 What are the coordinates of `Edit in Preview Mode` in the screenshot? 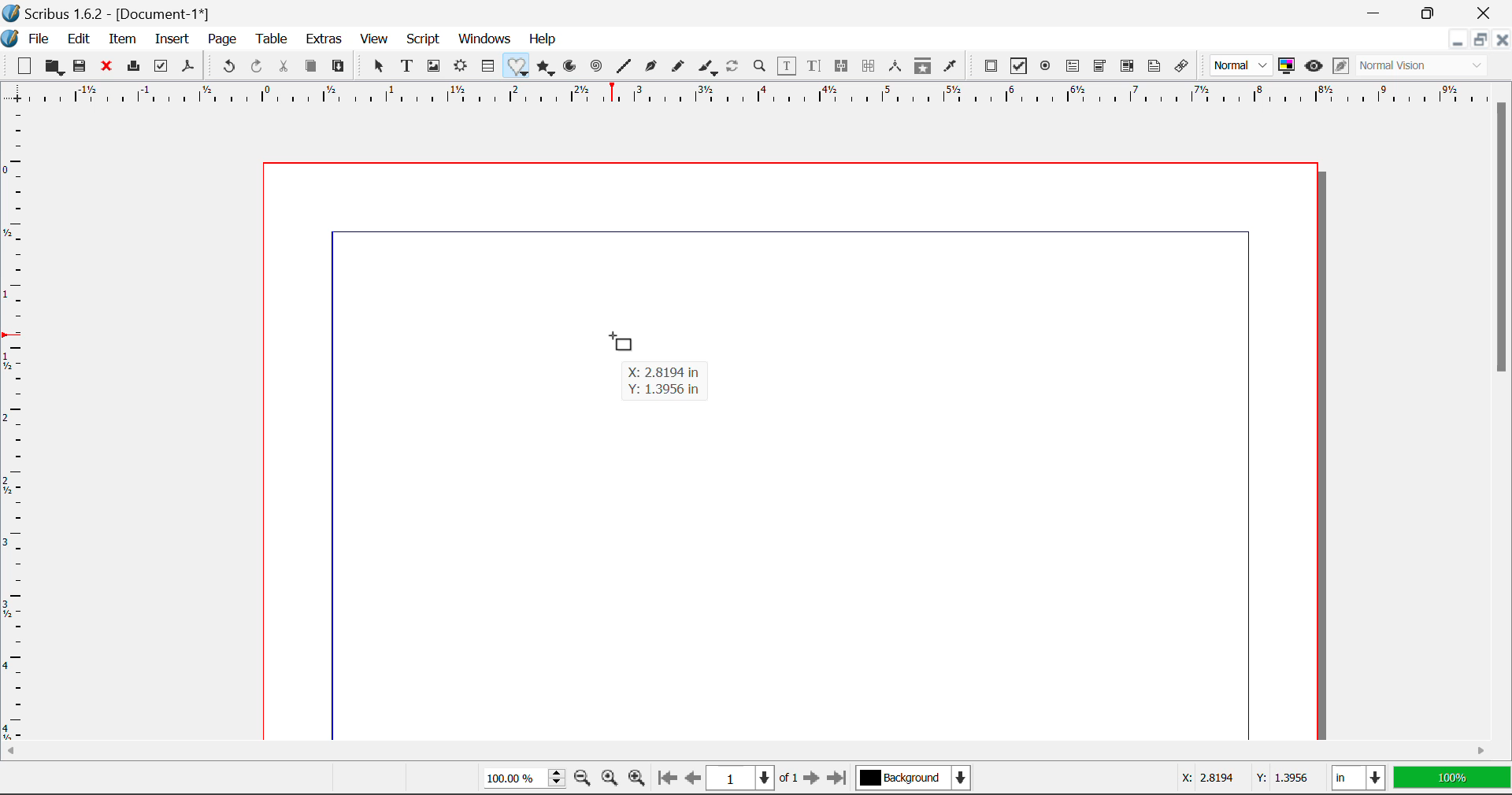 It's located at (1340, 66).